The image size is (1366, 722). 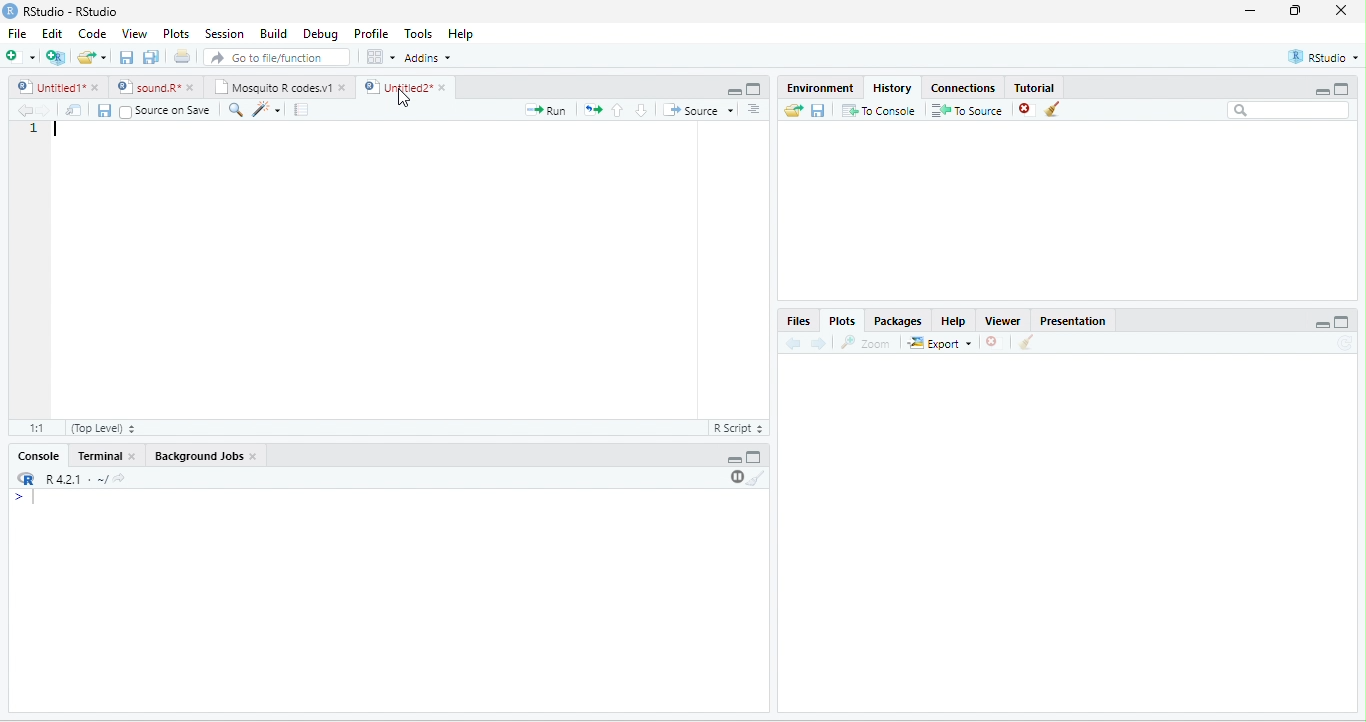 What do you see at coordinates (618, 110) in the screenshot?
I see `up` at bounding box center [618, 110].